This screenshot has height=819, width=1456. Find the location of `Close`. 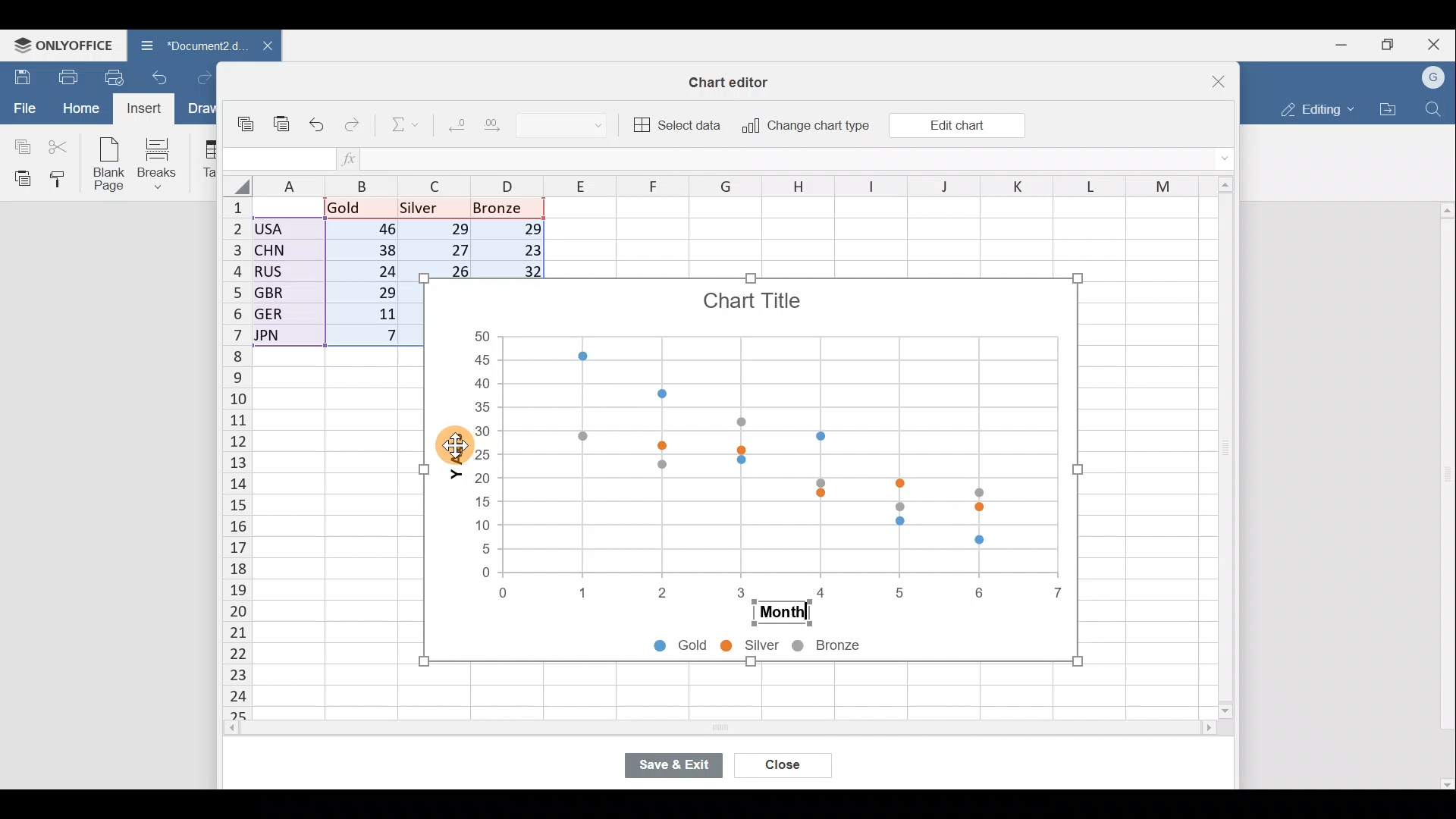

Close is located at coordinates (1436, 42).